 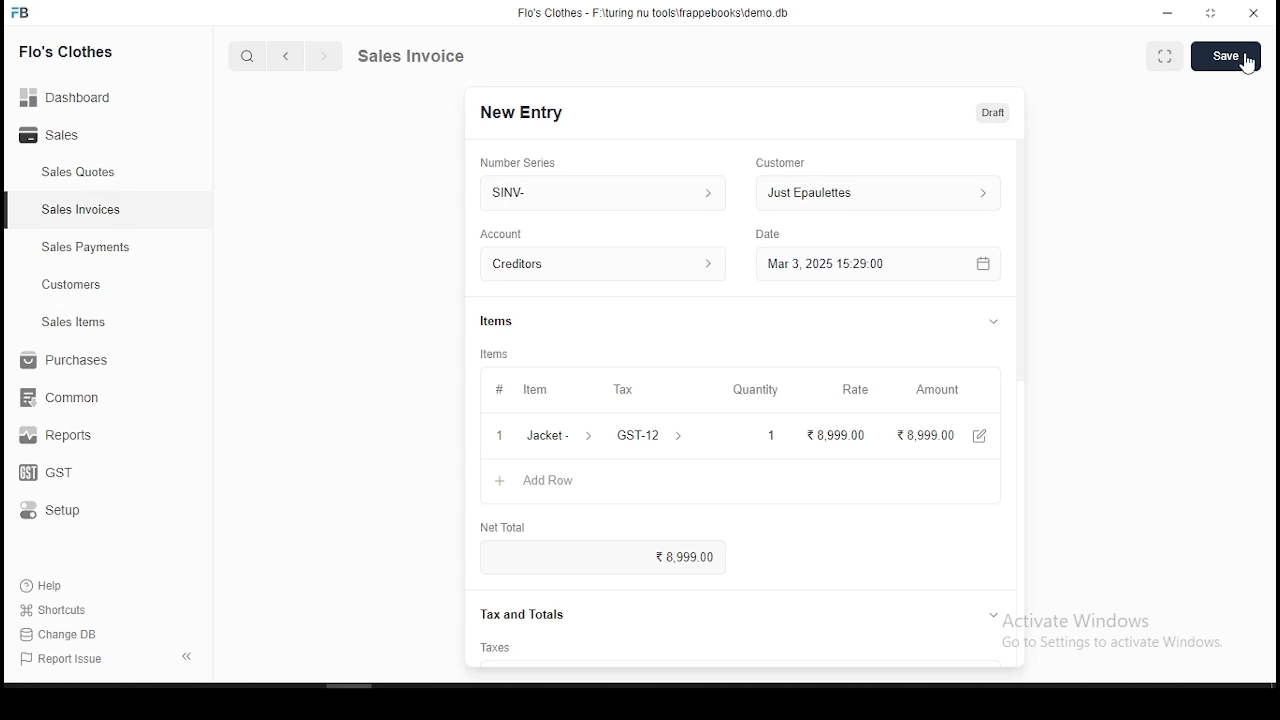 I want to click on GST-12 >, so click(x=653, y=435).